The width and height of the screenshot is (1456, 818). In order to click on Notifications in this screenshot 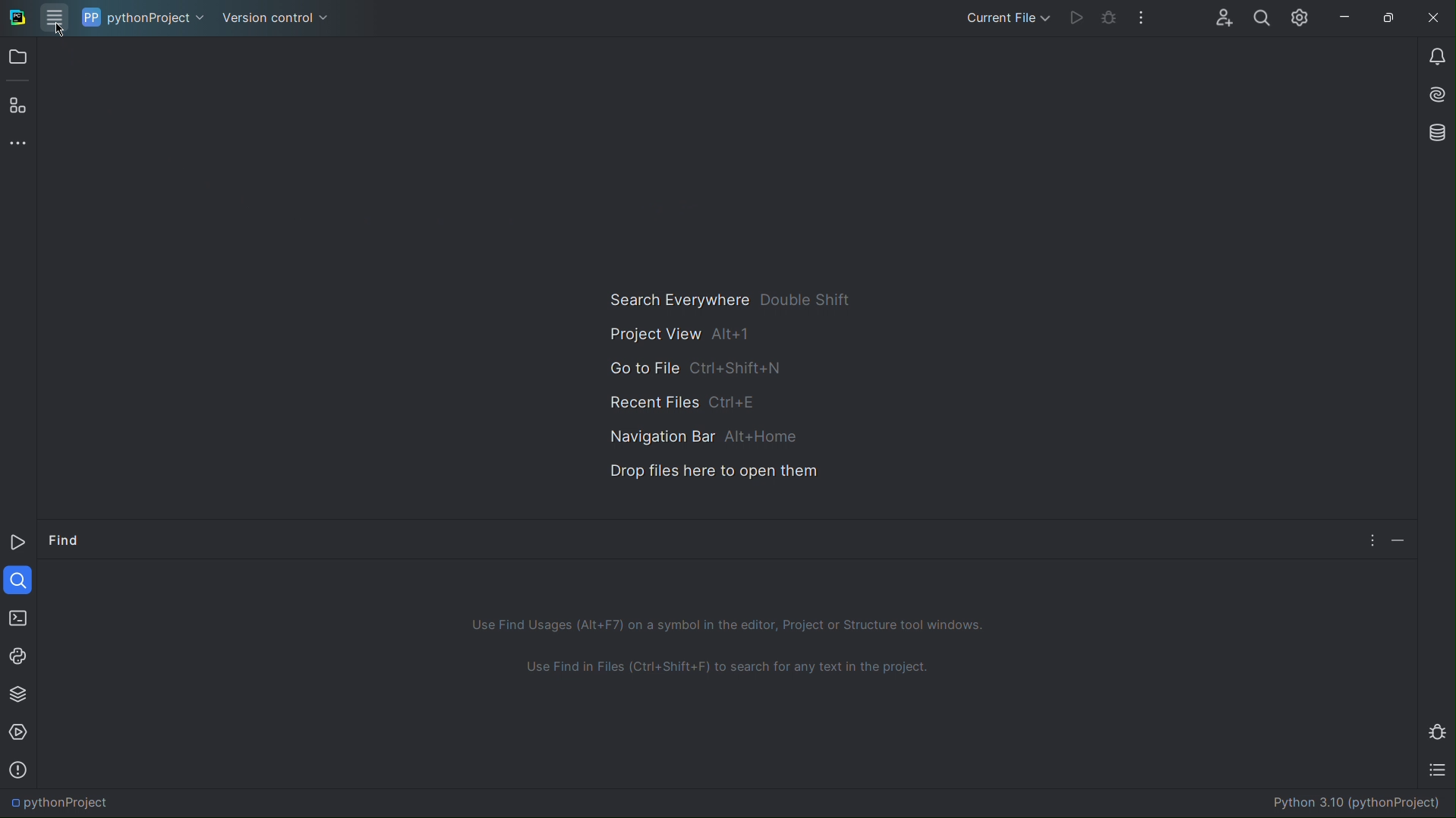, I will do `click(1435, 55)`.